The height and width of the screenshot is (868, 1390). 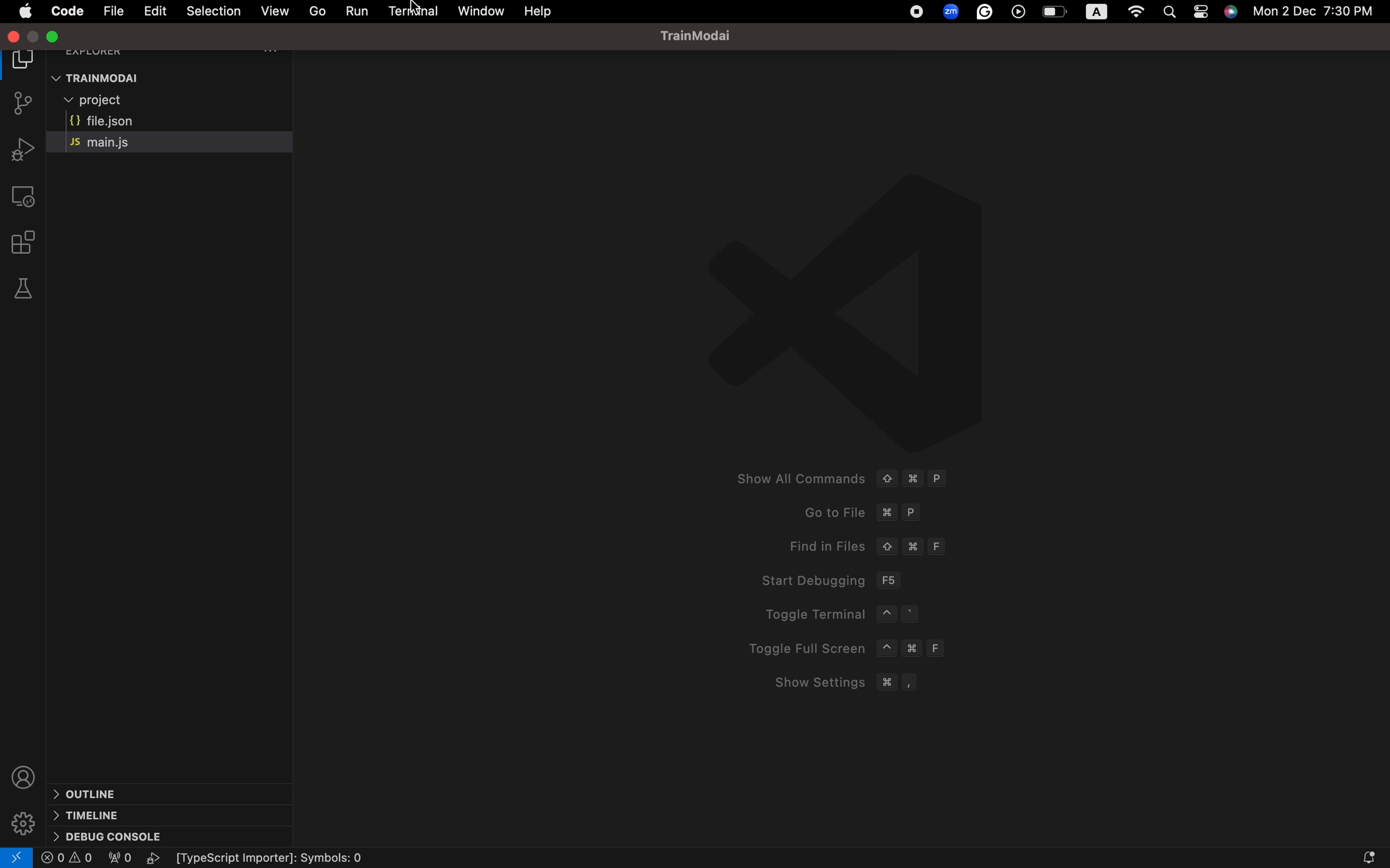 I want to click on play, so click(x=156, y=858).